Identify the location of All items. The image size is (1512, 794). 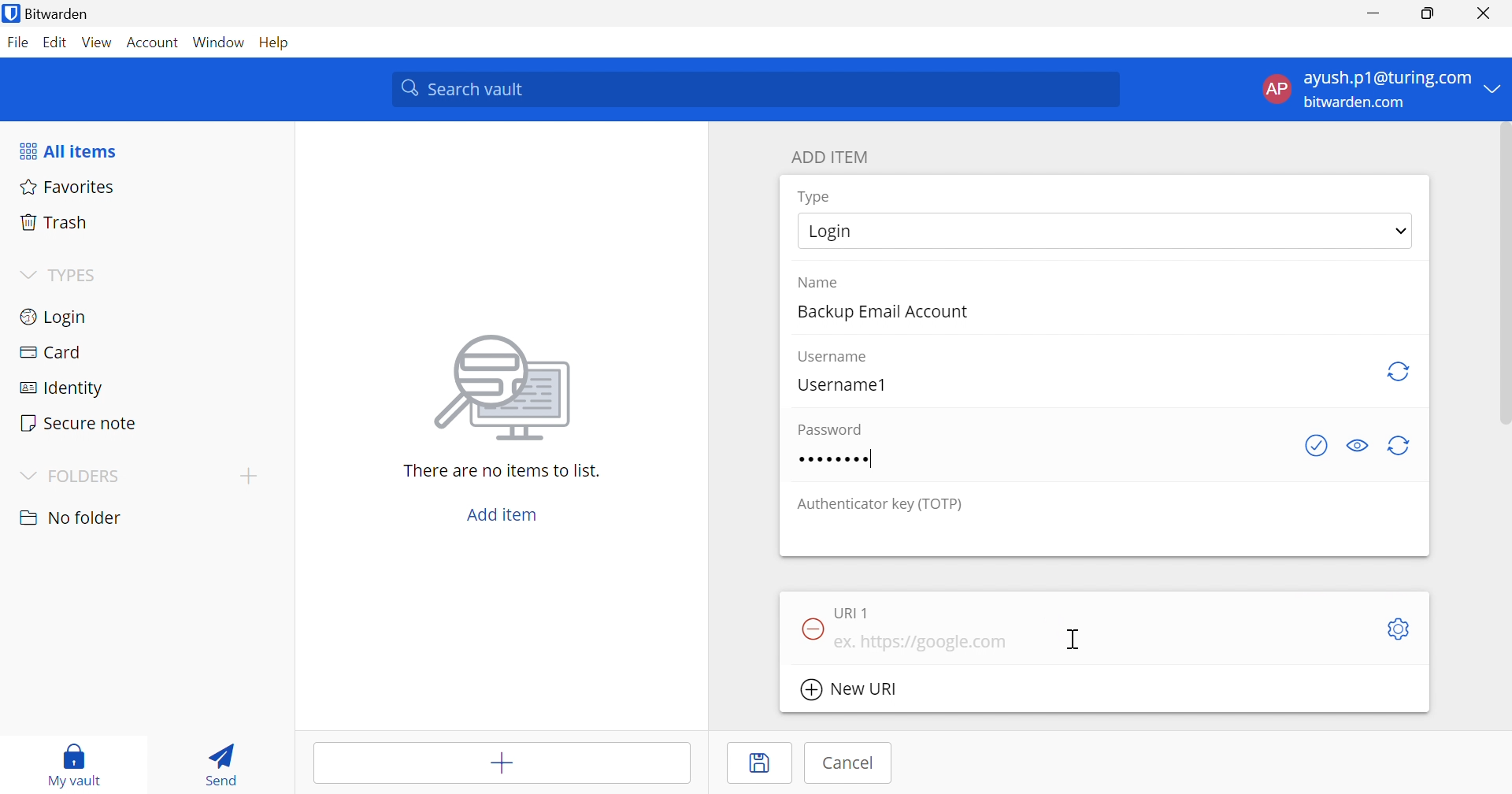
(70, 150).